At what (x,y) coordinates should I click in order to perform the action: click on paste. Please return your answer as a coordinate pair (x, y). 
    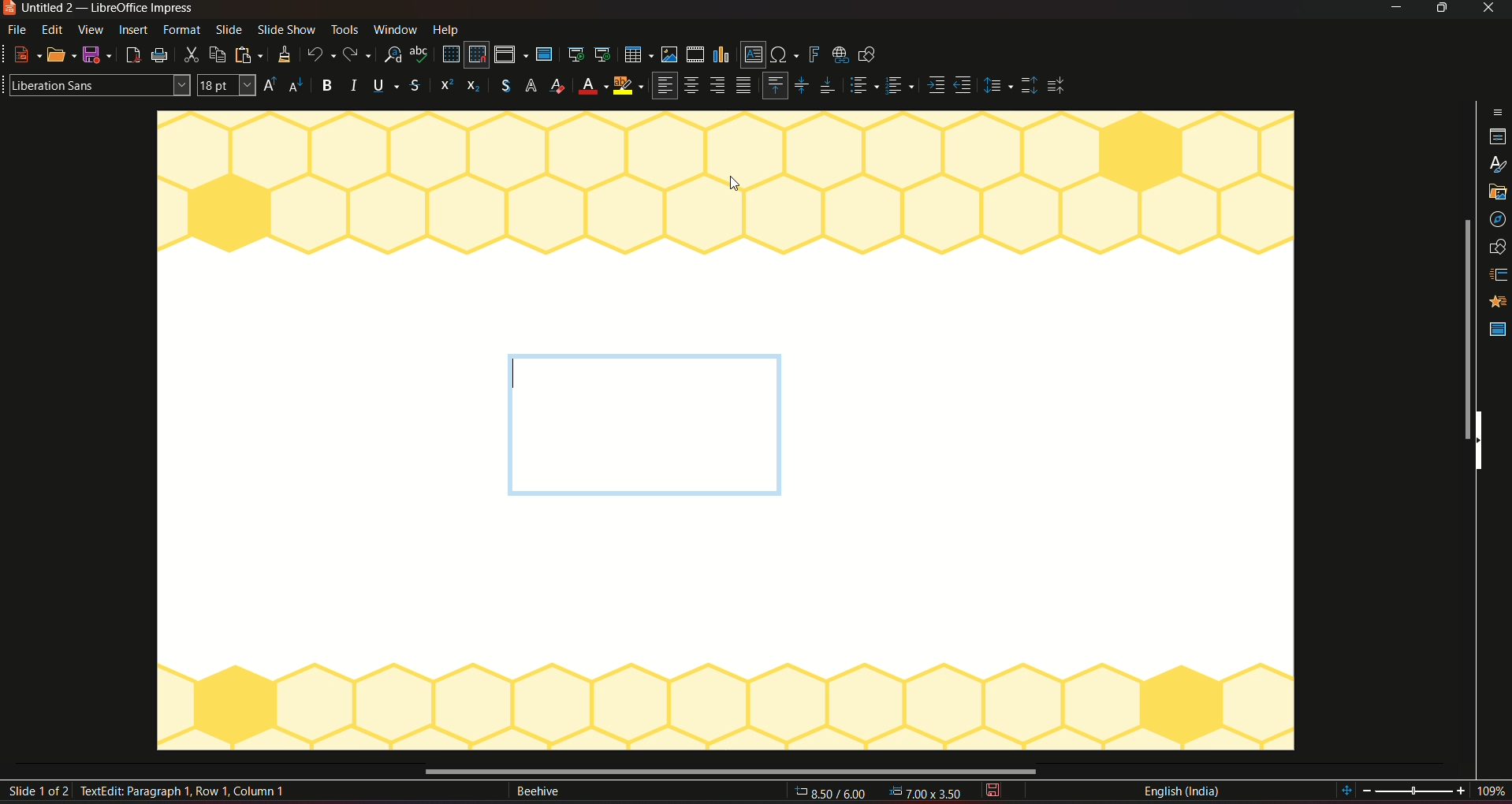
    Looking at the image, I should click on (248, 54).